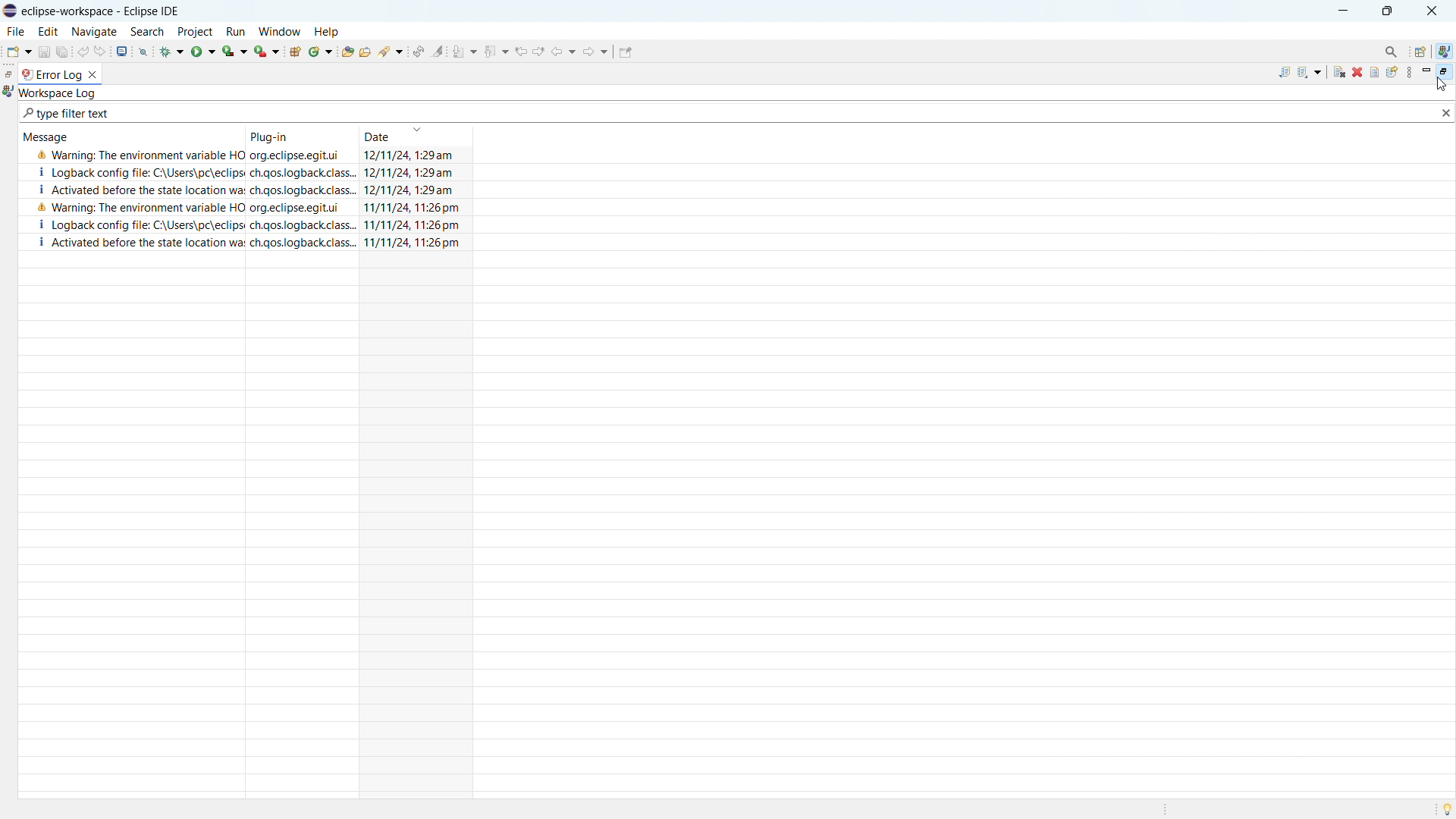  Describe the element at coordinates (414, 155) in the screenshot. I see `12/11/24, 1:29 am` at that location.